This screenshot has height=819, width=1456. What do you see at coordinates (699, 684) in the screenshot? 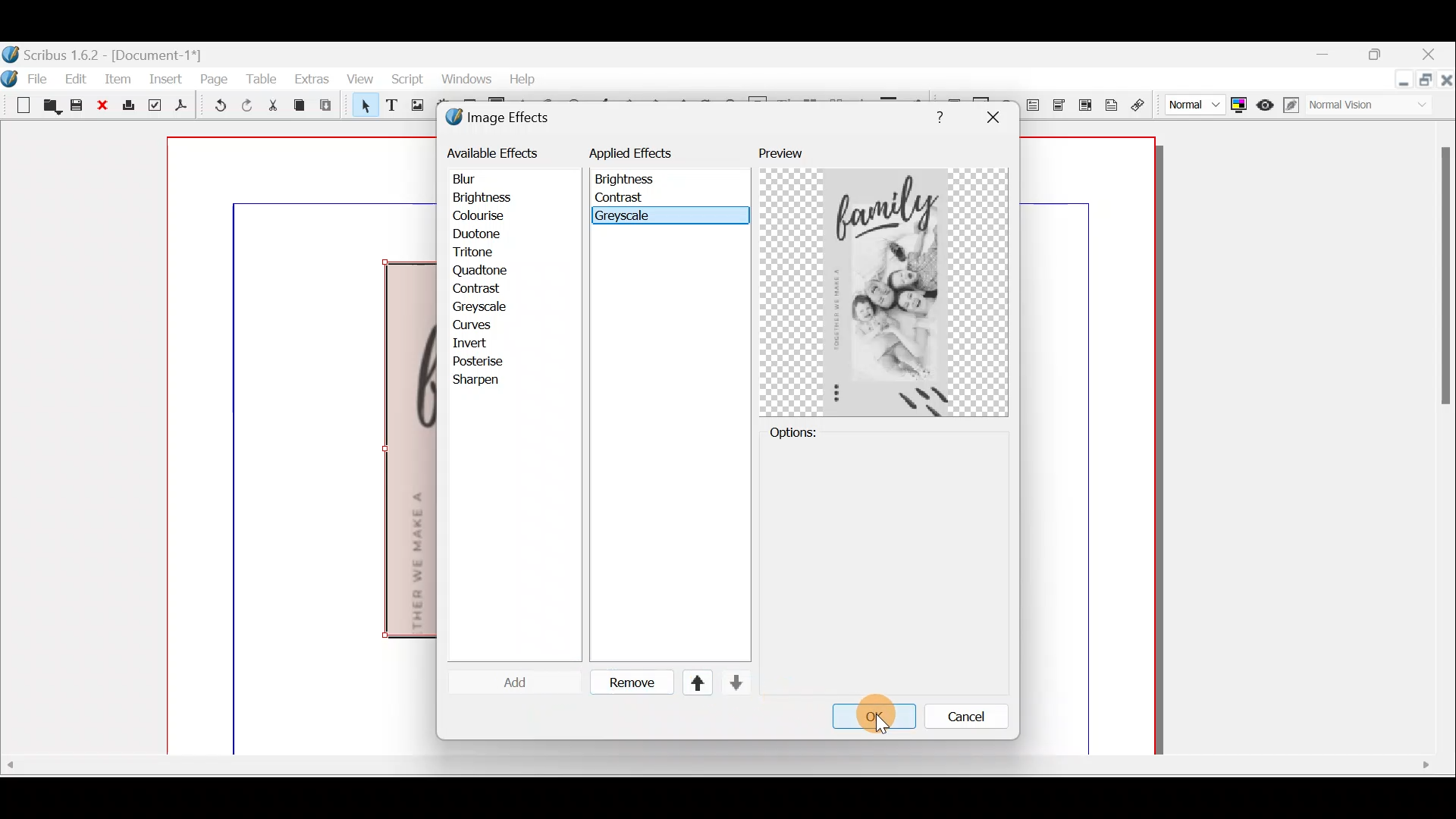
I see `Up` at bounding box center [699, 684].